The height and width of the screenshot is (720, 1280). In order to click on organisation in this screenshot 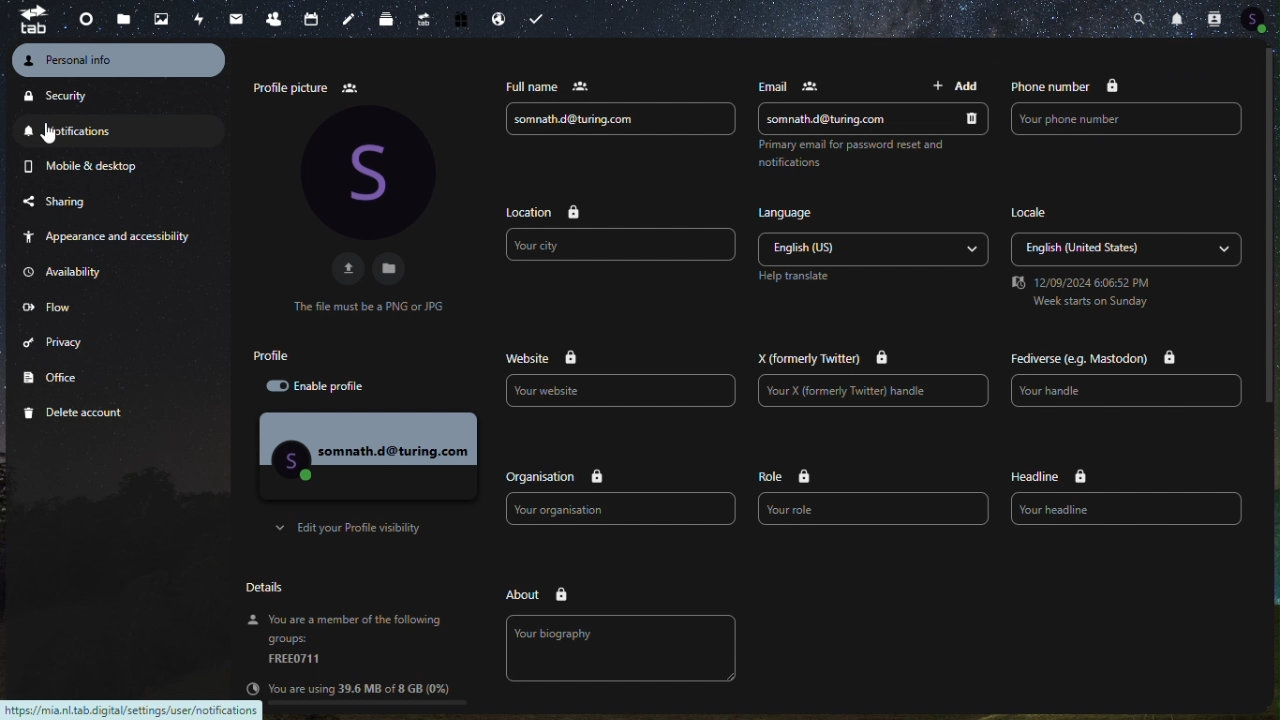, I will do `click(551, 477)`.